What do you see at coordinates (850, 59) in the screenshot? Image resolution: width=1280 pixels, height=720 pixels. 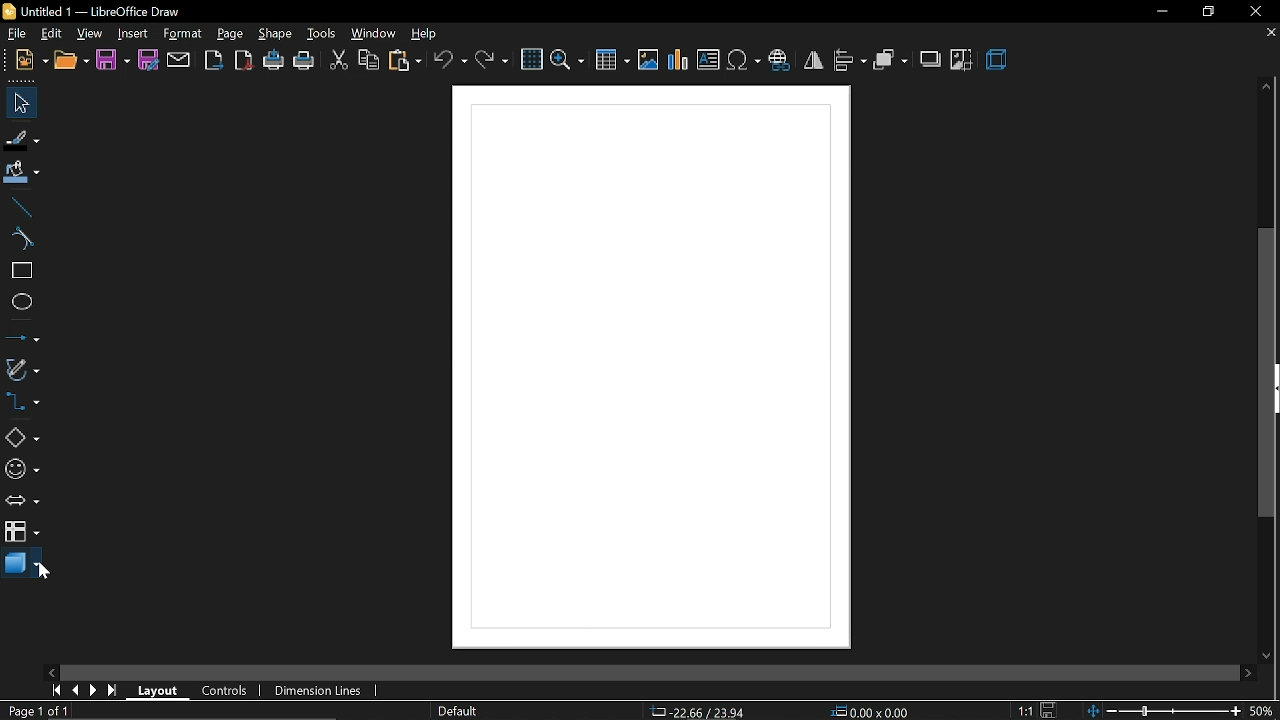 I see `align` at bounding box center [850, 59].